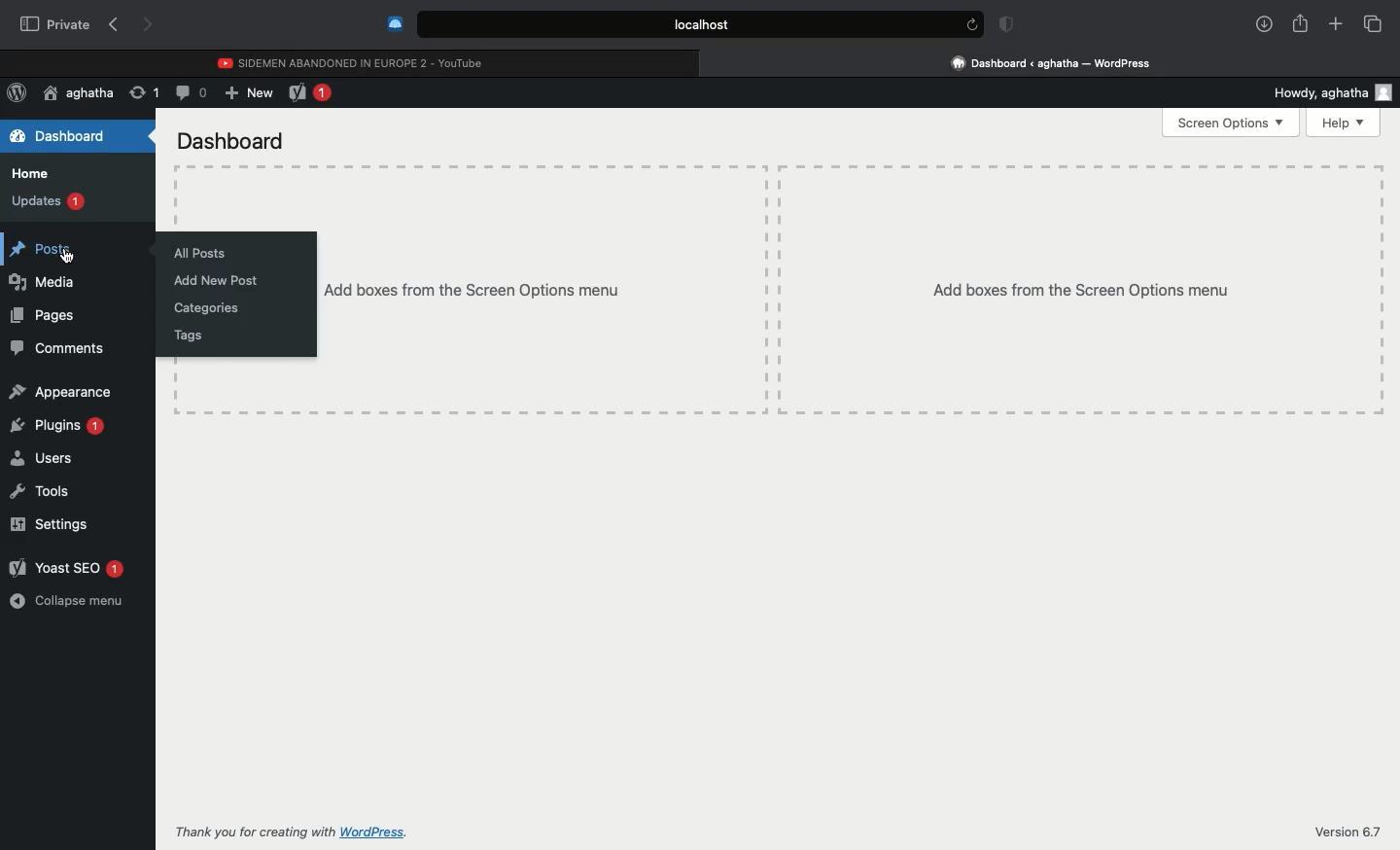  Describe the element at coordinates (353, 60) in the screenshot. I see `Youtube` at that location.